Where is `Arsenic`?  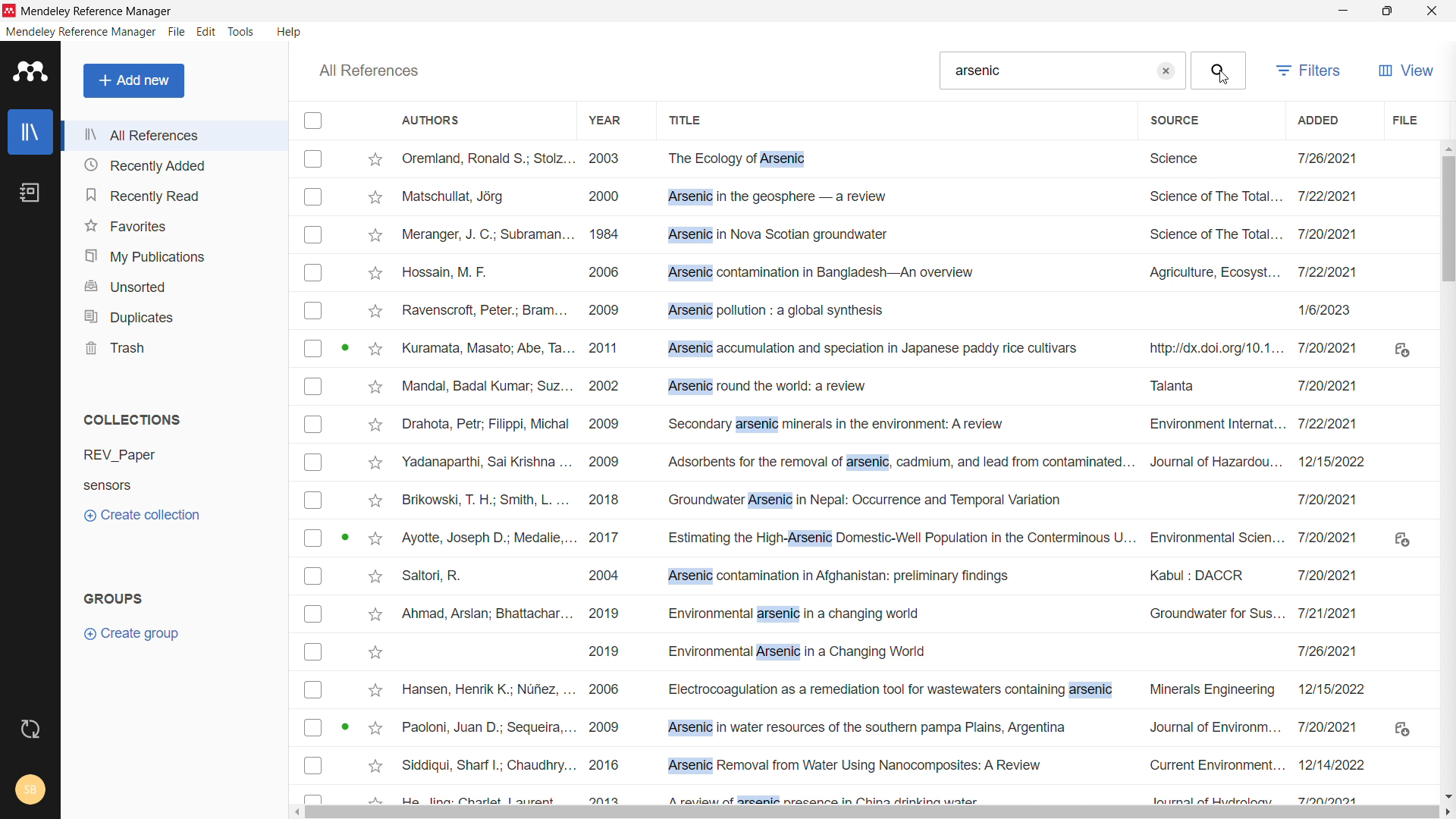
Arsenic is located at coordinates (982, 71).